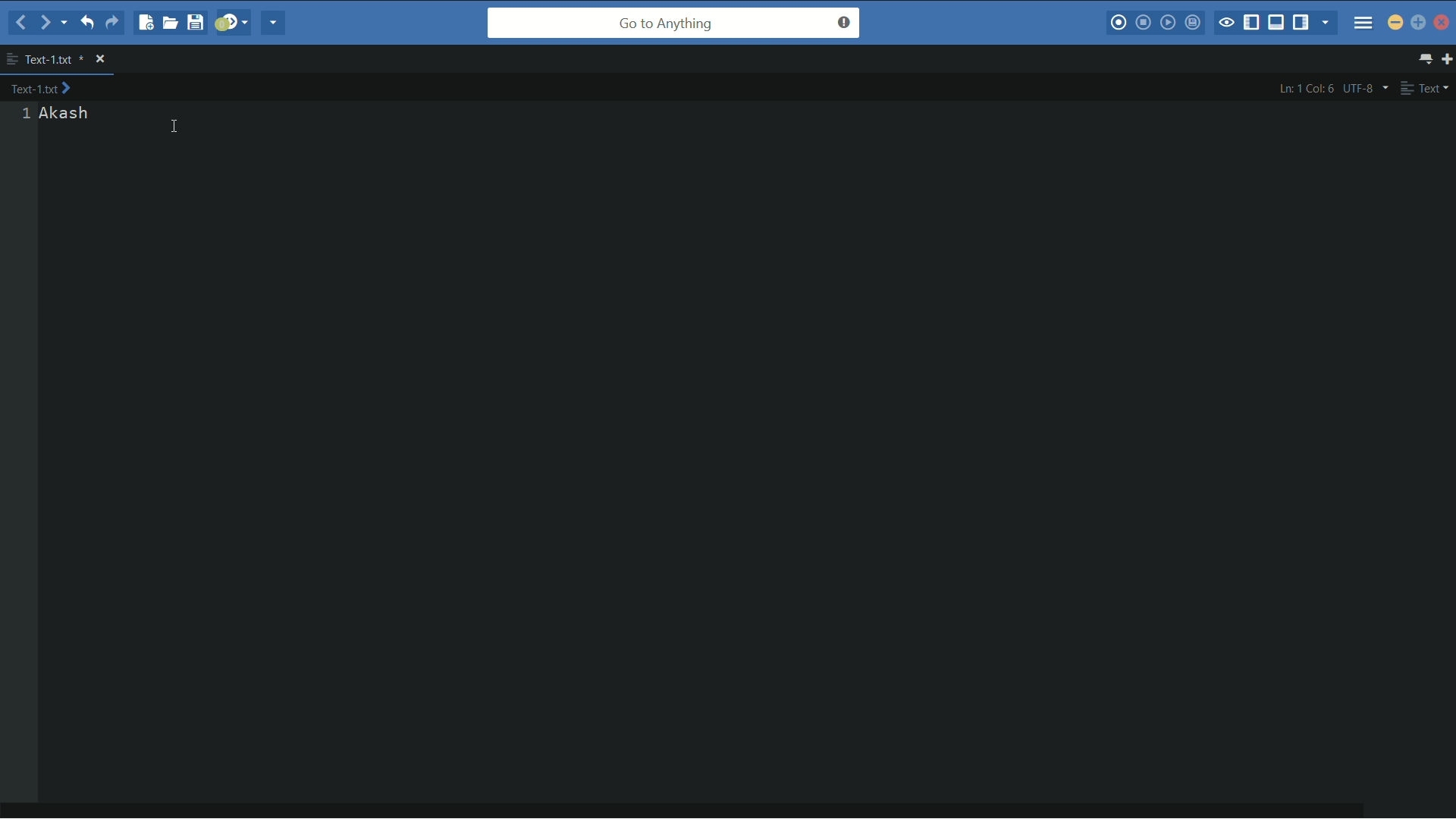  Describe the element at coordinates (1418, 22) in the screenshot. I see `maximize` at that location.